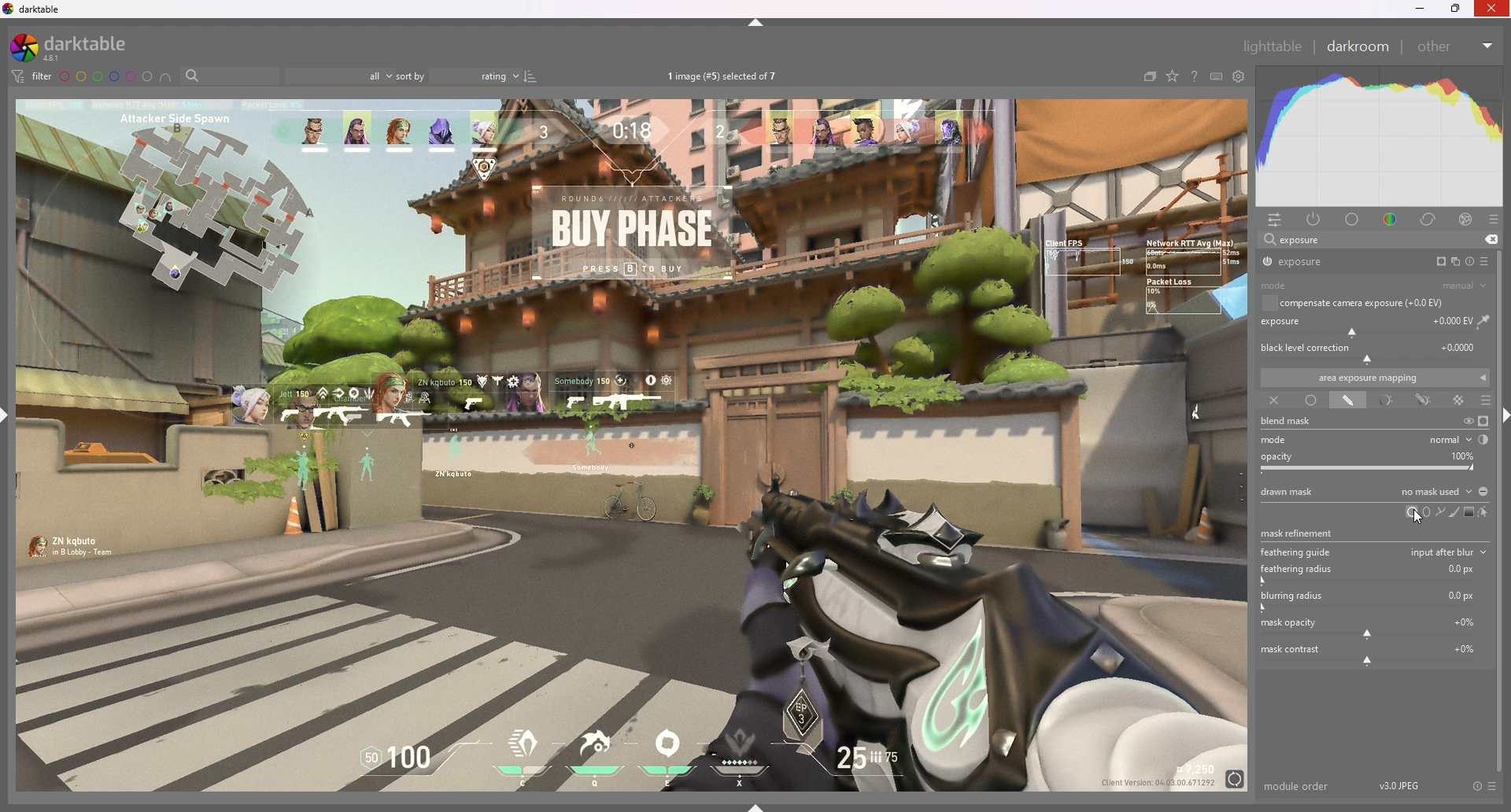 This screenshot has height=812, width=1511. What do you see at coordinates (1272, 401) in the screenshot?
I see `off` at bounding box center [1272, 401].